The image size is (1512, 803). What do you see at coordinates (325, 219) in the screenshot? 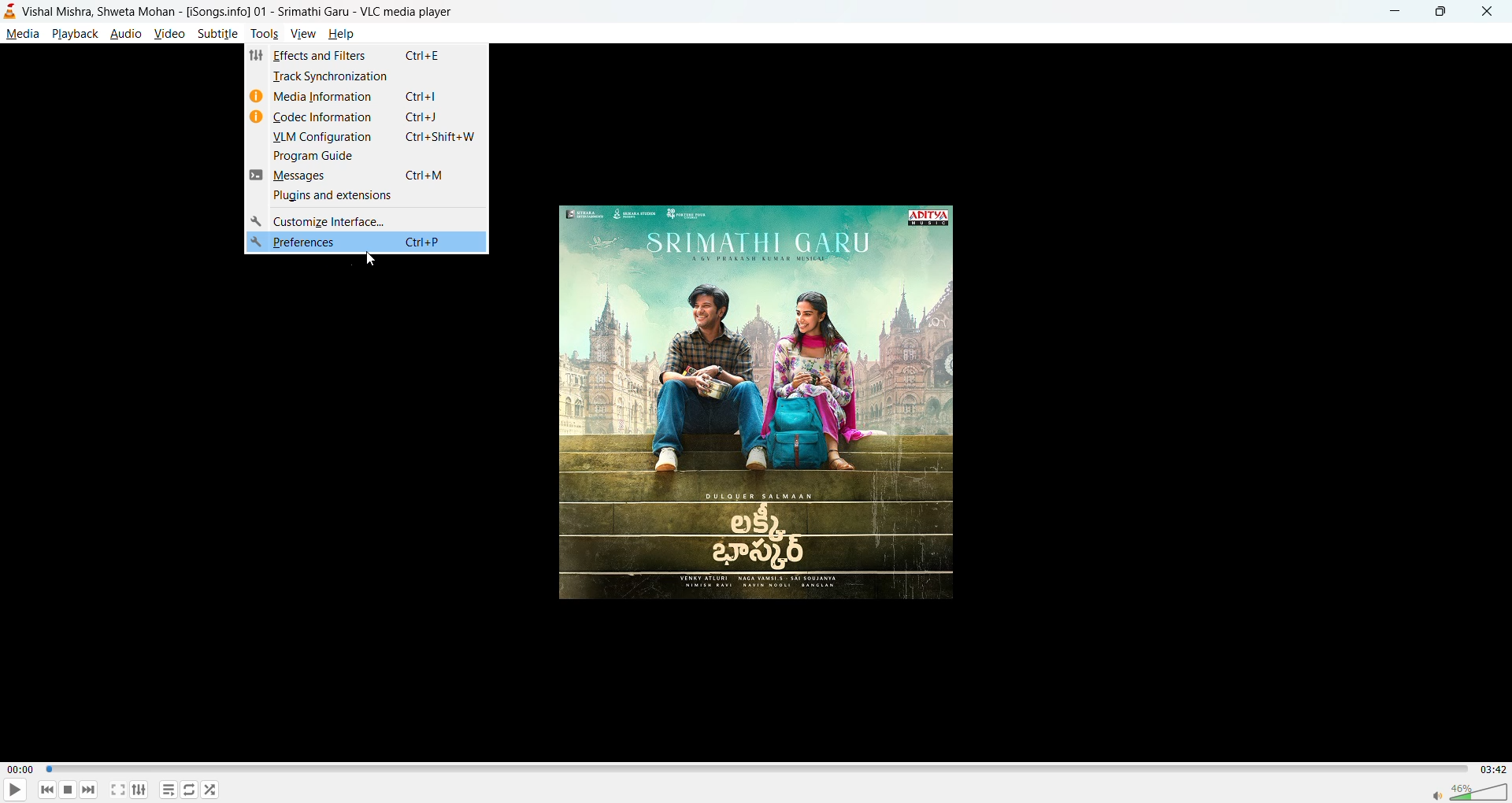
I see `customize interface` at bounding box center [325, 219].